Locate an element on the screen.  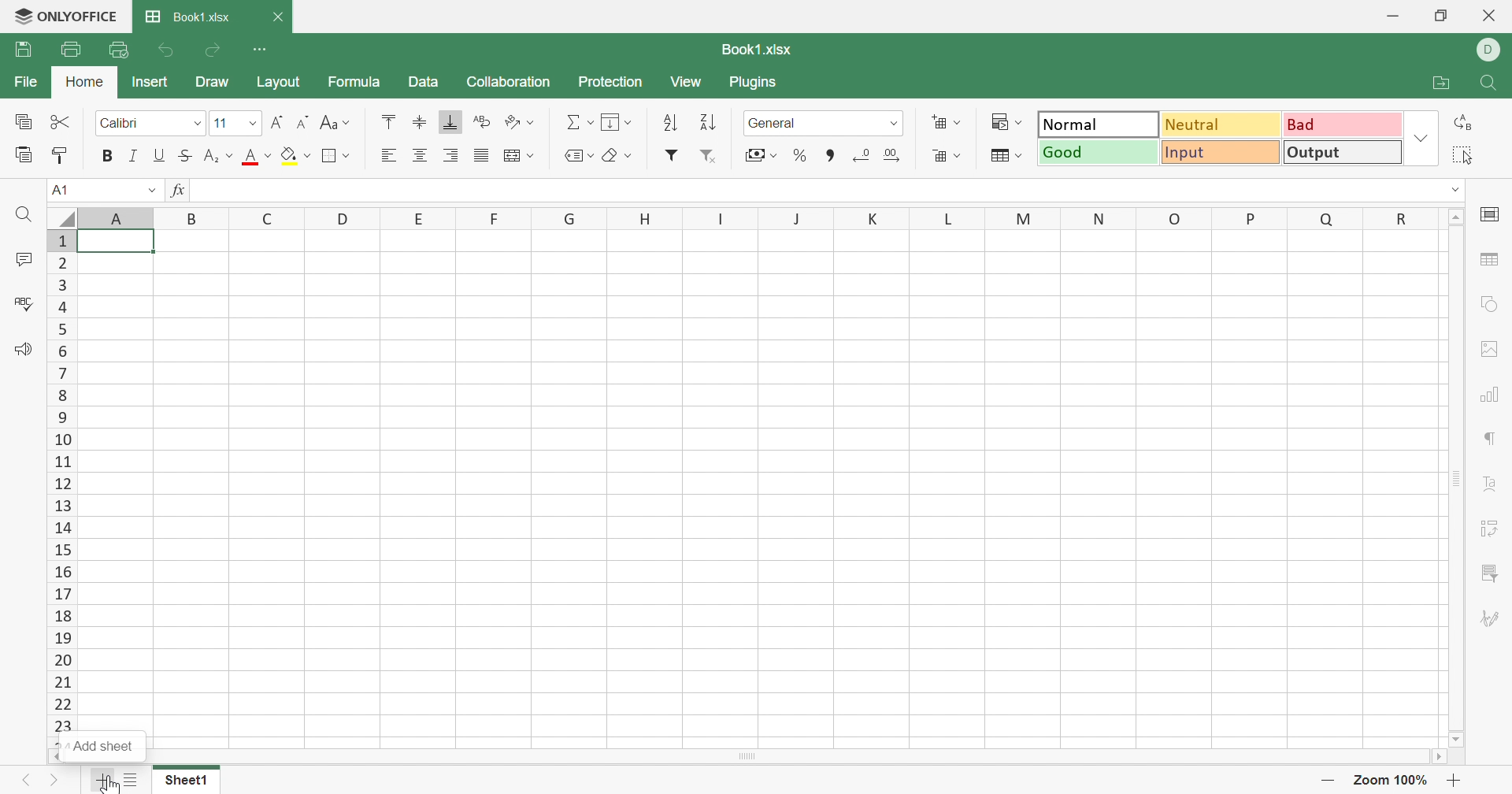
9 is located at coordinates (58, 420).